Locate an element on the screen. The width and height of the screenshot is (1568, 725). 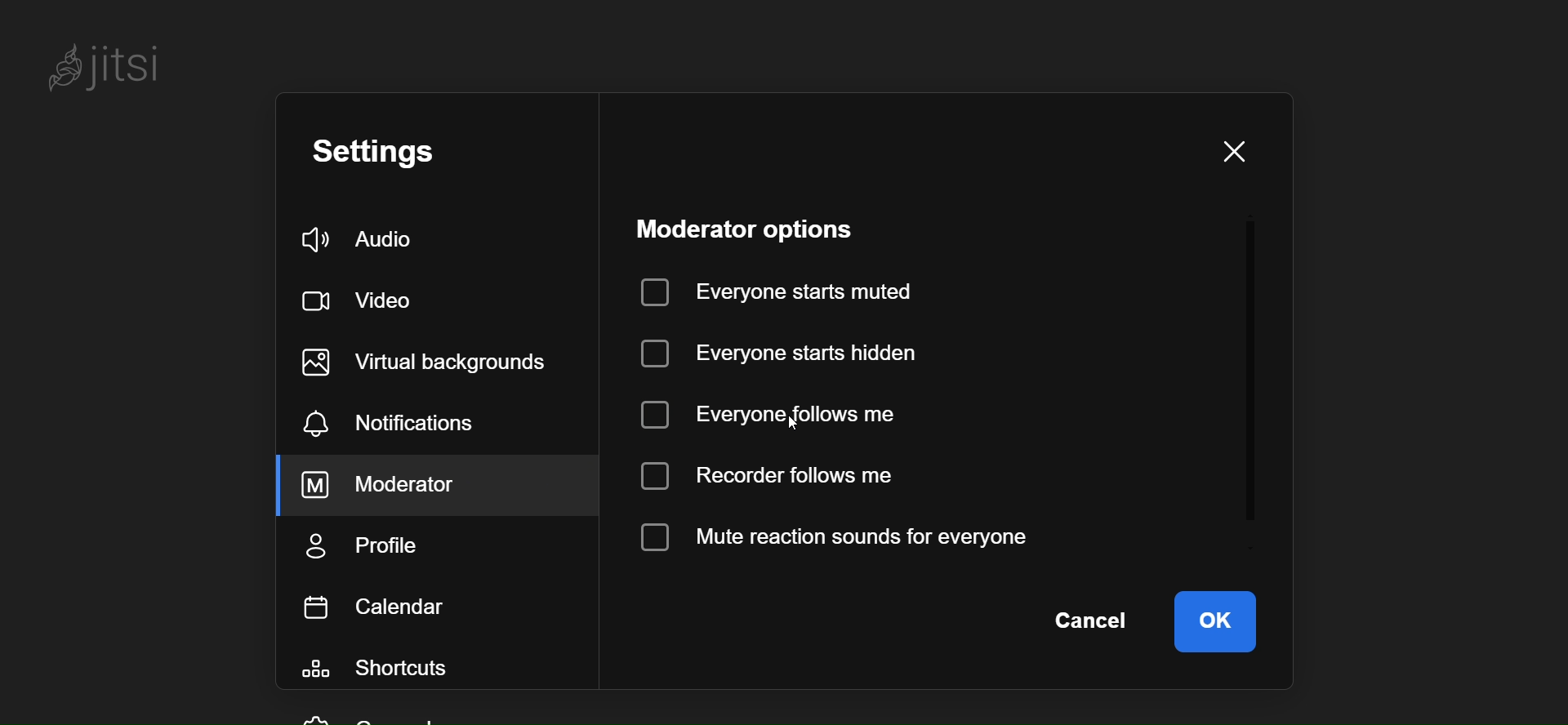
video is located at coordinates (364, 296).